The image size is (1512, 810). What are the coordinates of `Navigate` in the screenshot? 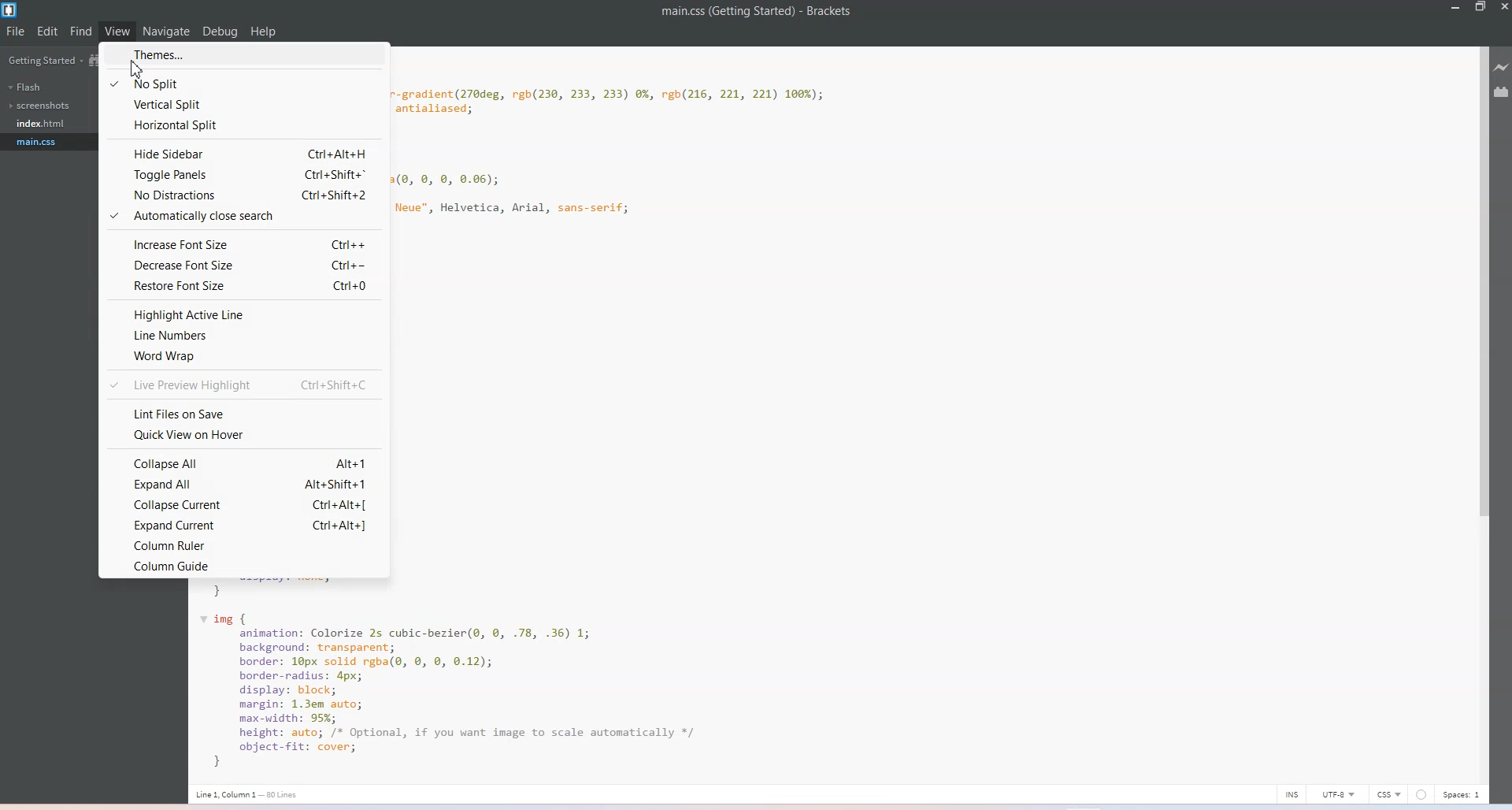 It's located at (167, 32).